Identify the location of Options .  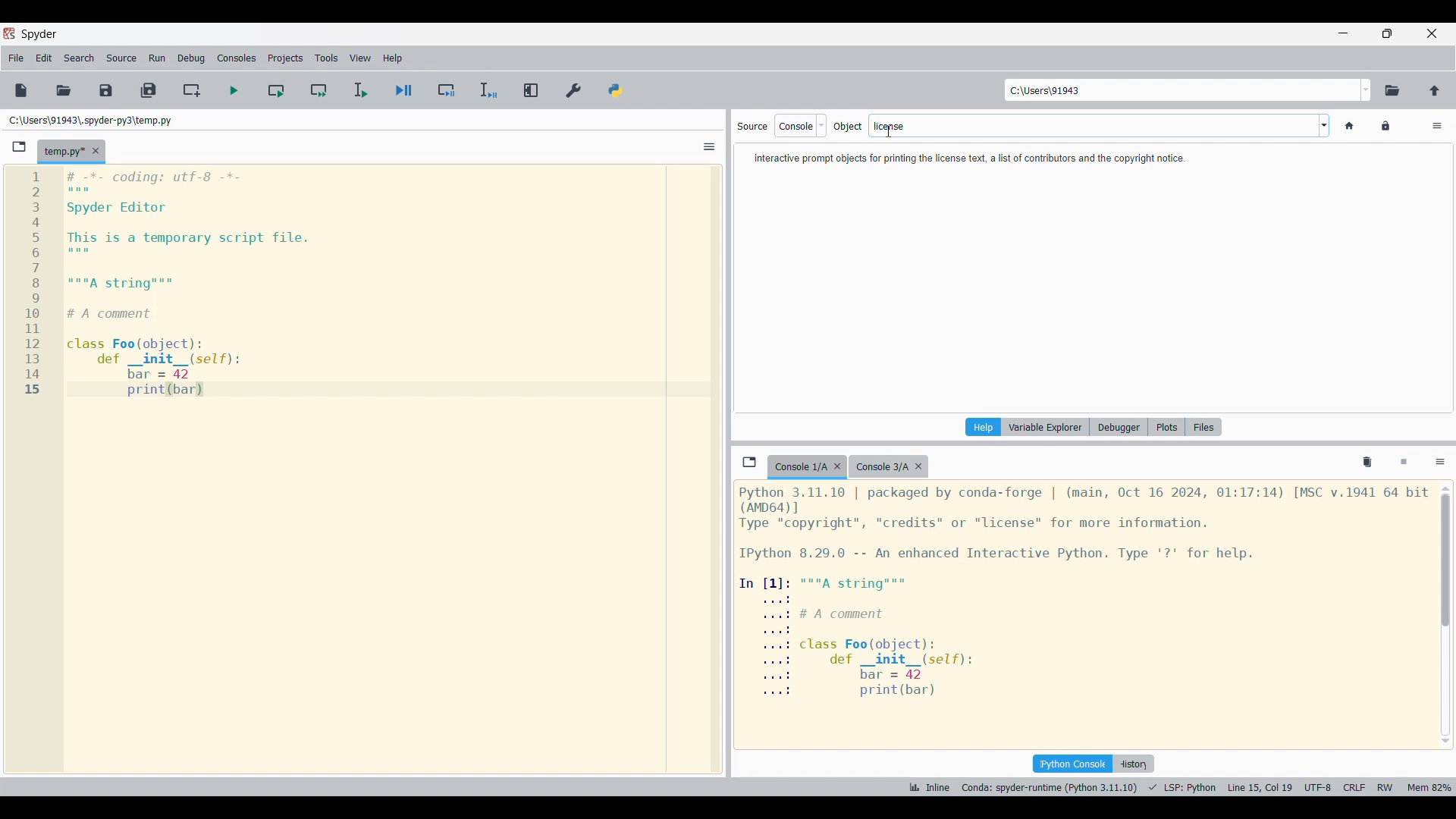
(709, 147).